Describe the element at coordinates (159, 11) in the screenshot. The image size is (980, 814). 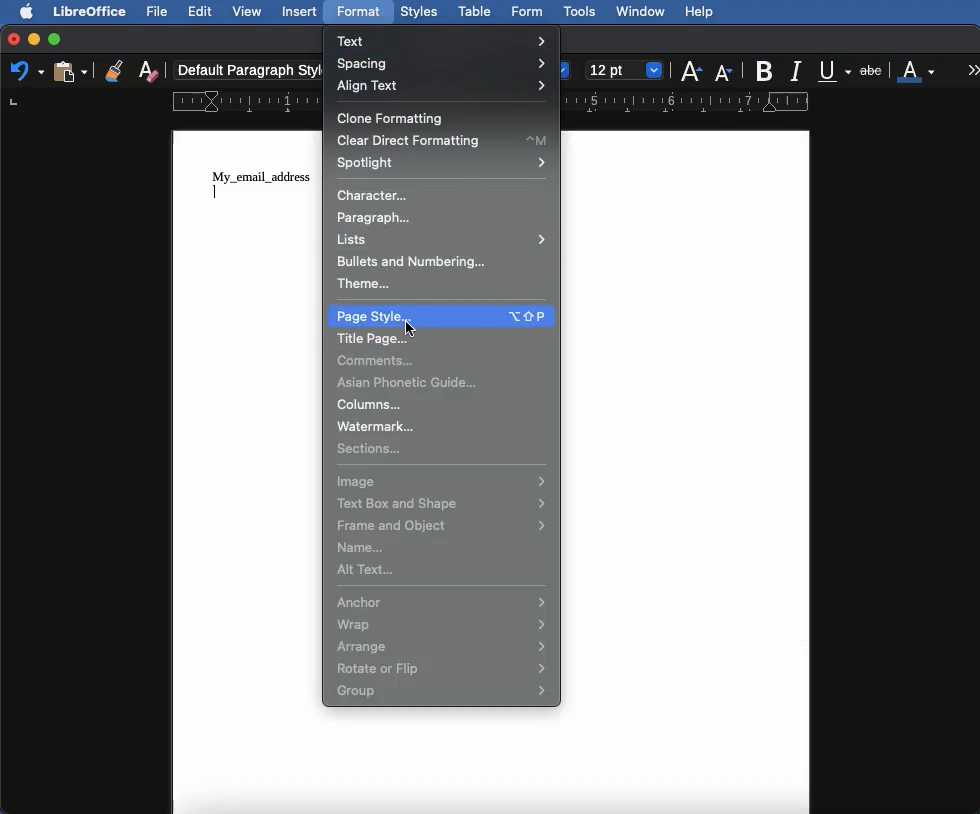
I see `File` at that location.